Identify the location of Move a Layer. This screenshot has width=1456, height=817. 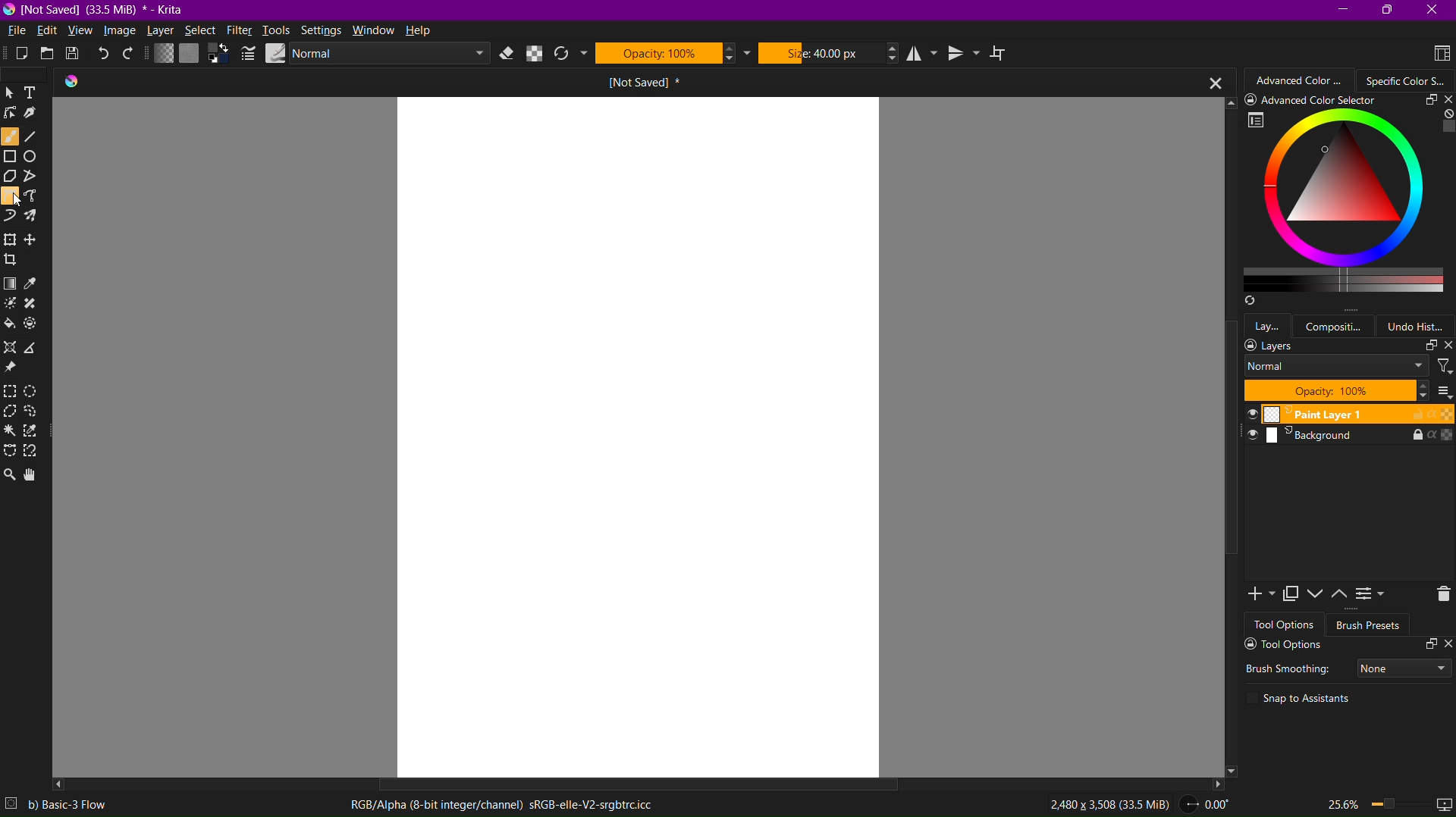
(35, 240).